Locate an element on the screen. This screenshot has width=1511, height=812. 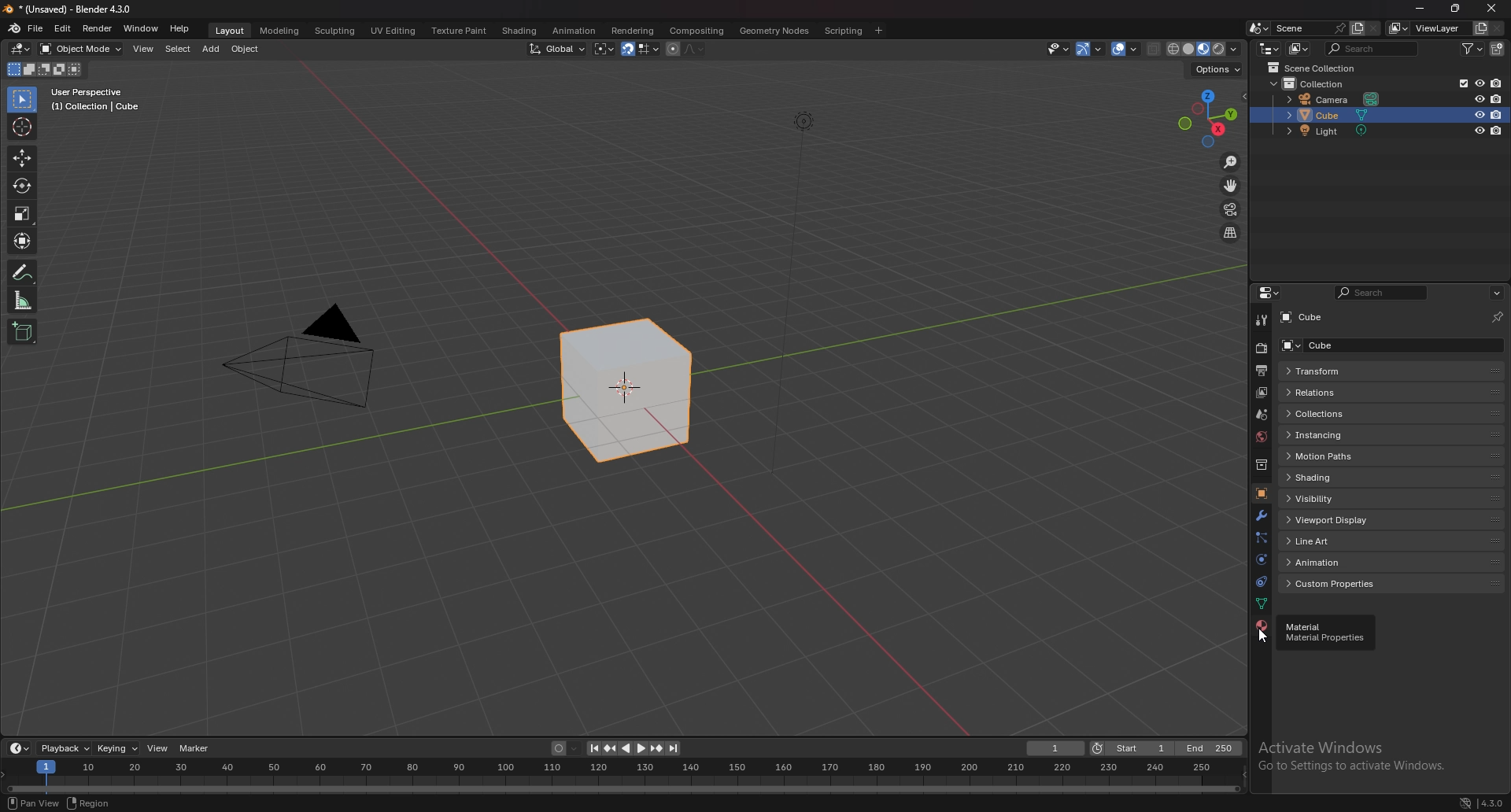
perspective/orthographic mode is located at coordinates (1230, 233).